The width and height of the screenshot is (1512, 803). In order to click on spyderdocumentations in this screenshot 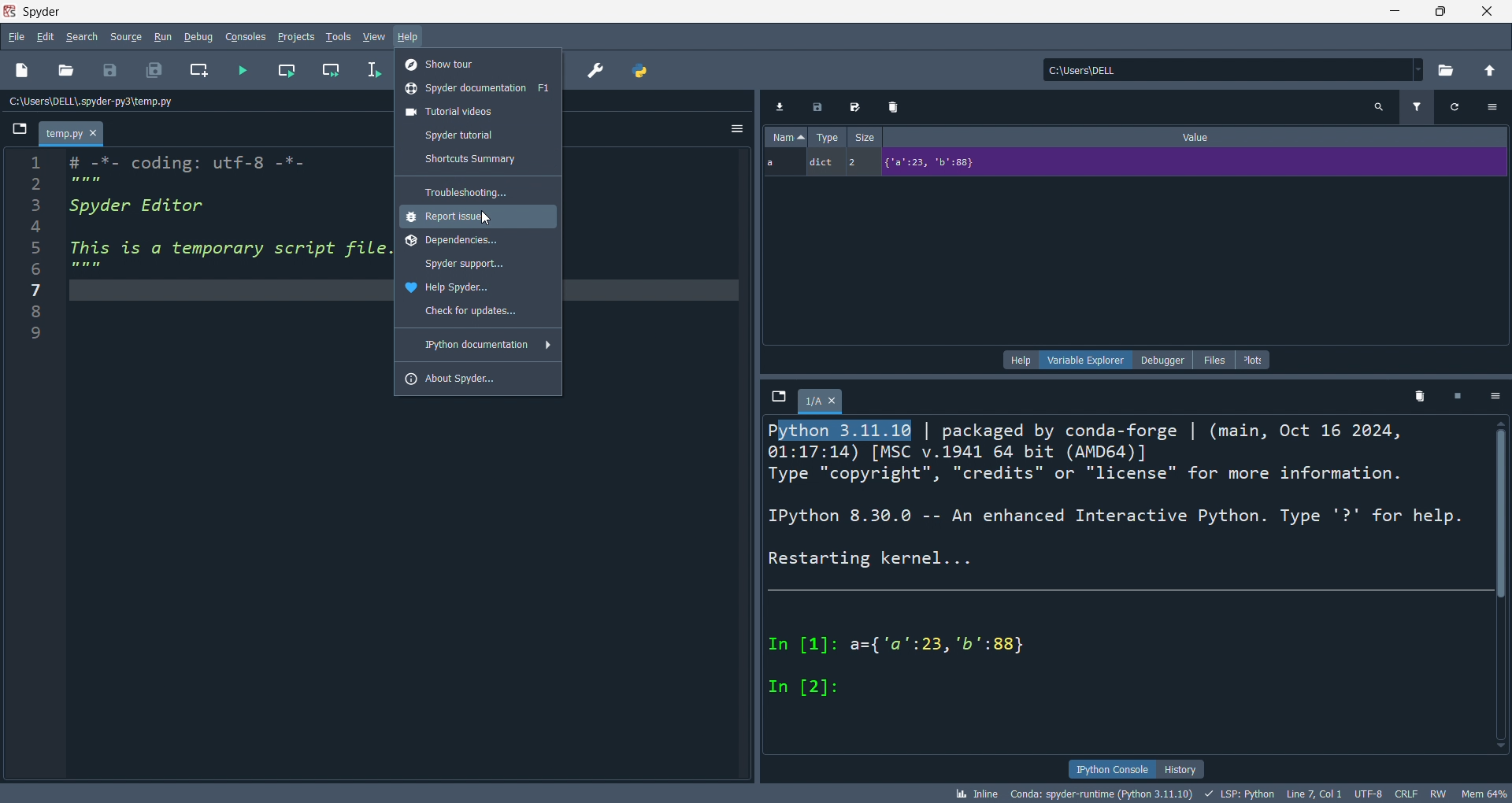, I will do `click(479, 87)`.